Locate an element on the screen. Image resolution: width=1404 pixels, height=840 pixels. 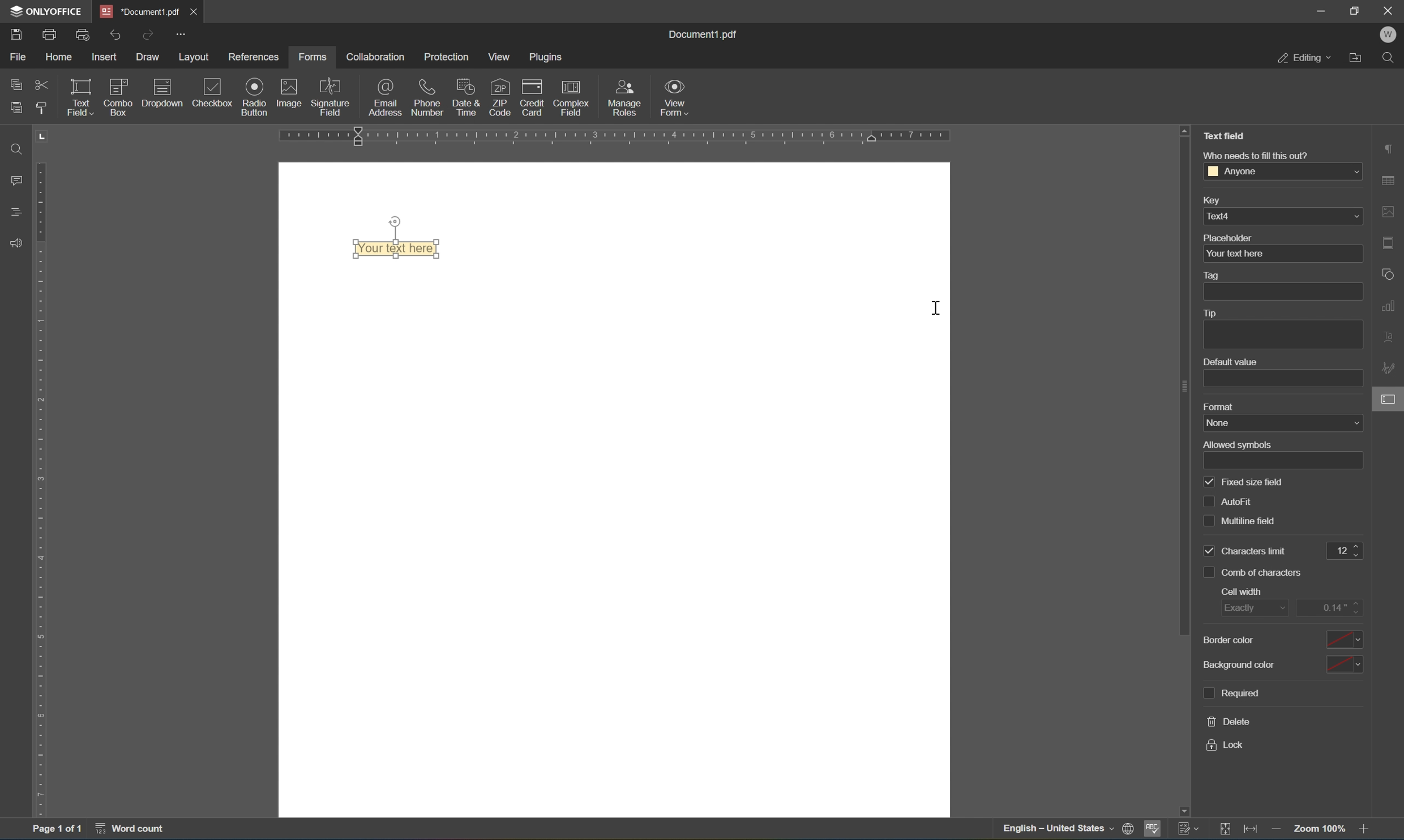
phone number is located at coordinates (427, 97).